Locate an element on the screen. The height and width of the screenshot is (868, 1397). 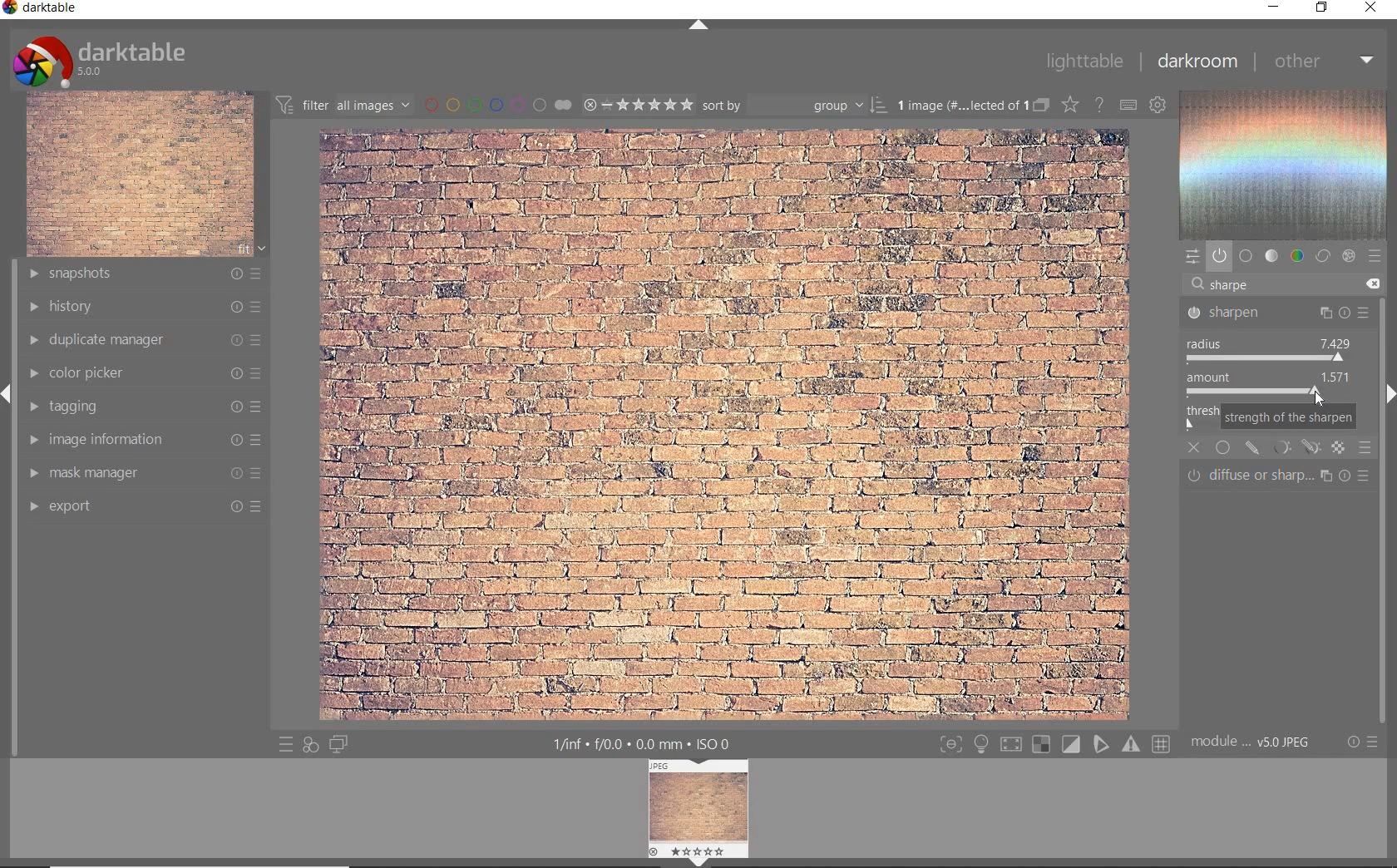
correct  is located at coordinates (1323, 256).